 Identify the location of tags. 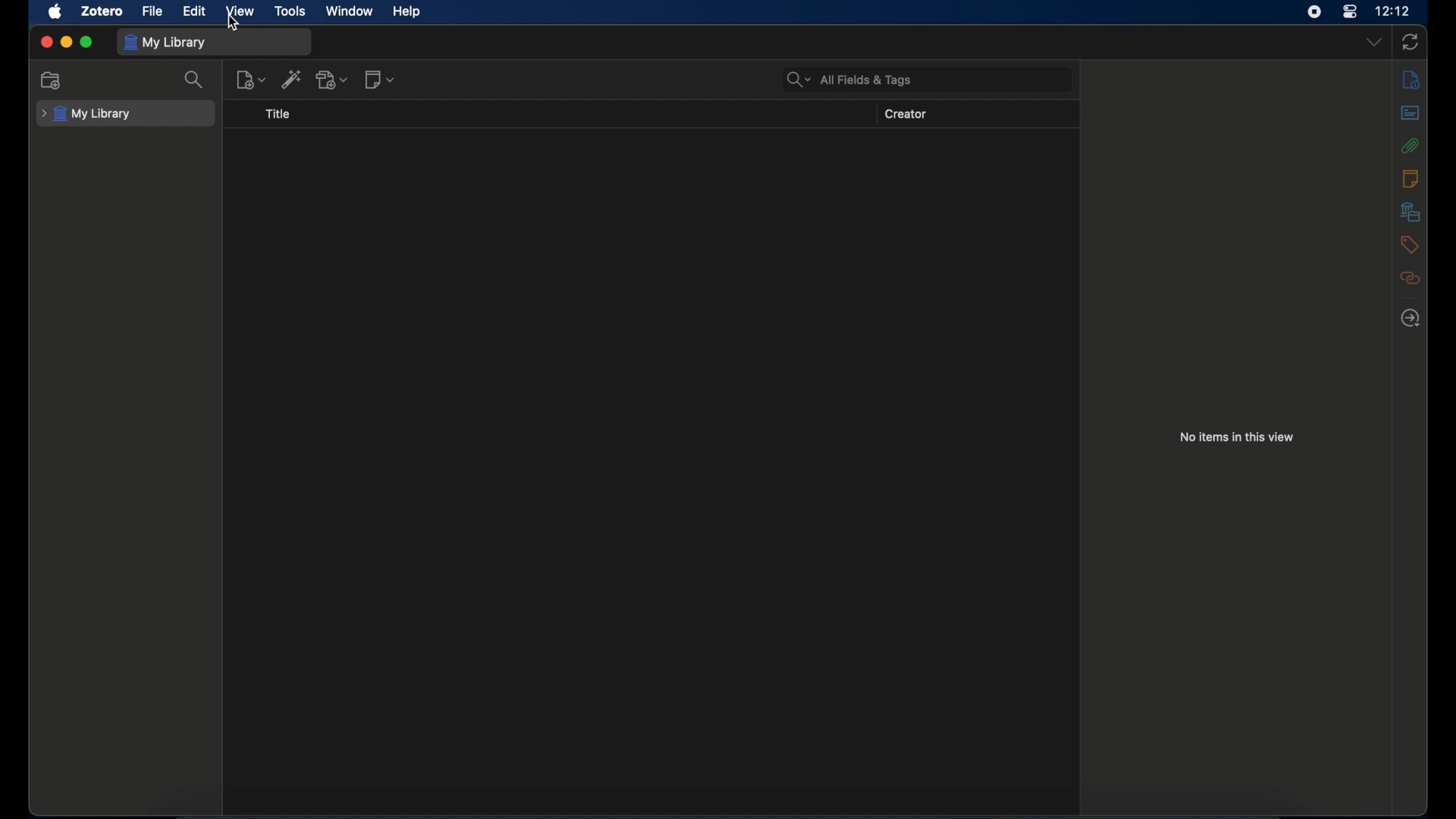
(1409, 245).